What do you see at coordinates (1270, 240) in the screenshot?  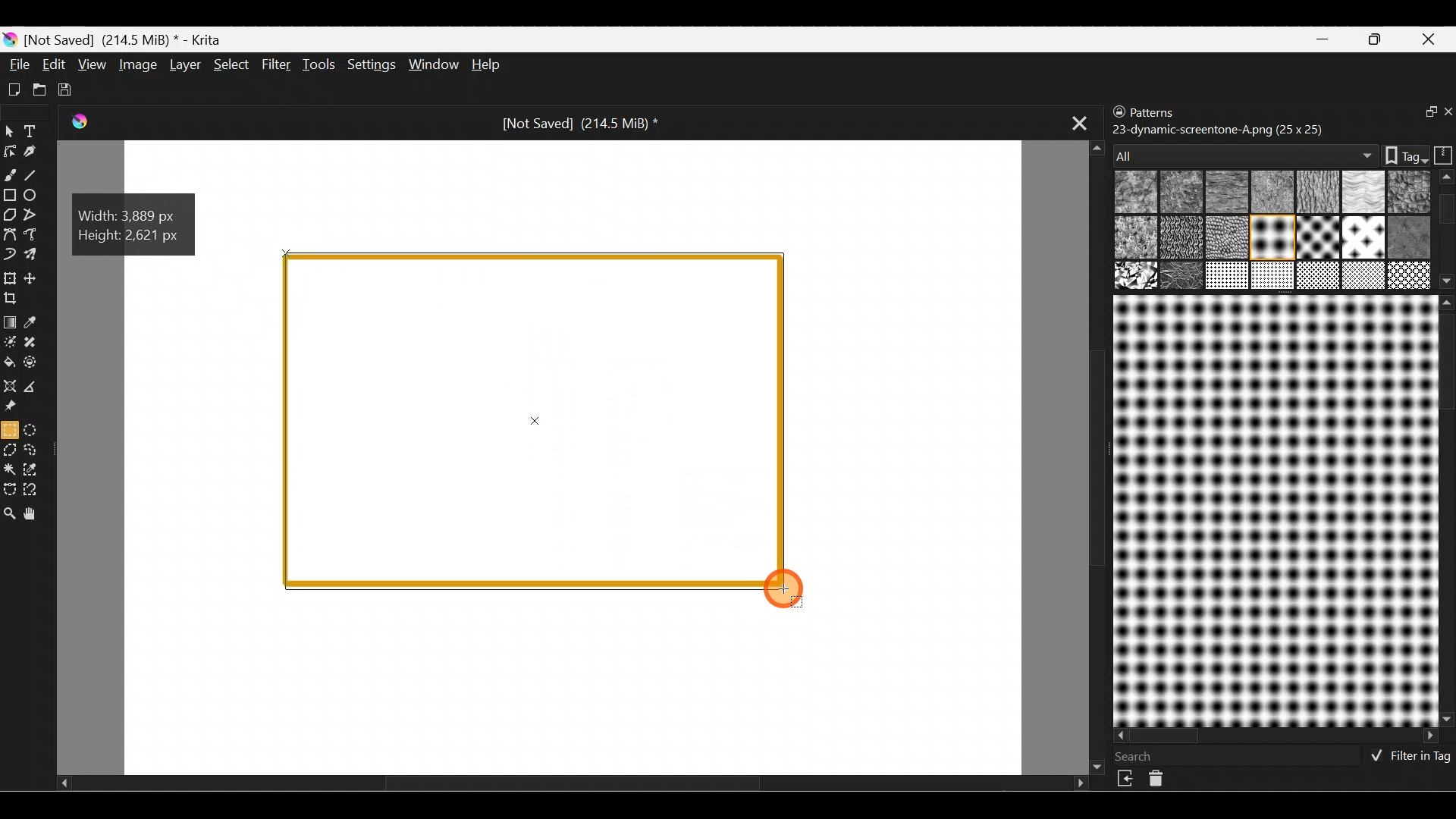 I see `10 drawed_dotted.png` at bounding box center [1270, 240].